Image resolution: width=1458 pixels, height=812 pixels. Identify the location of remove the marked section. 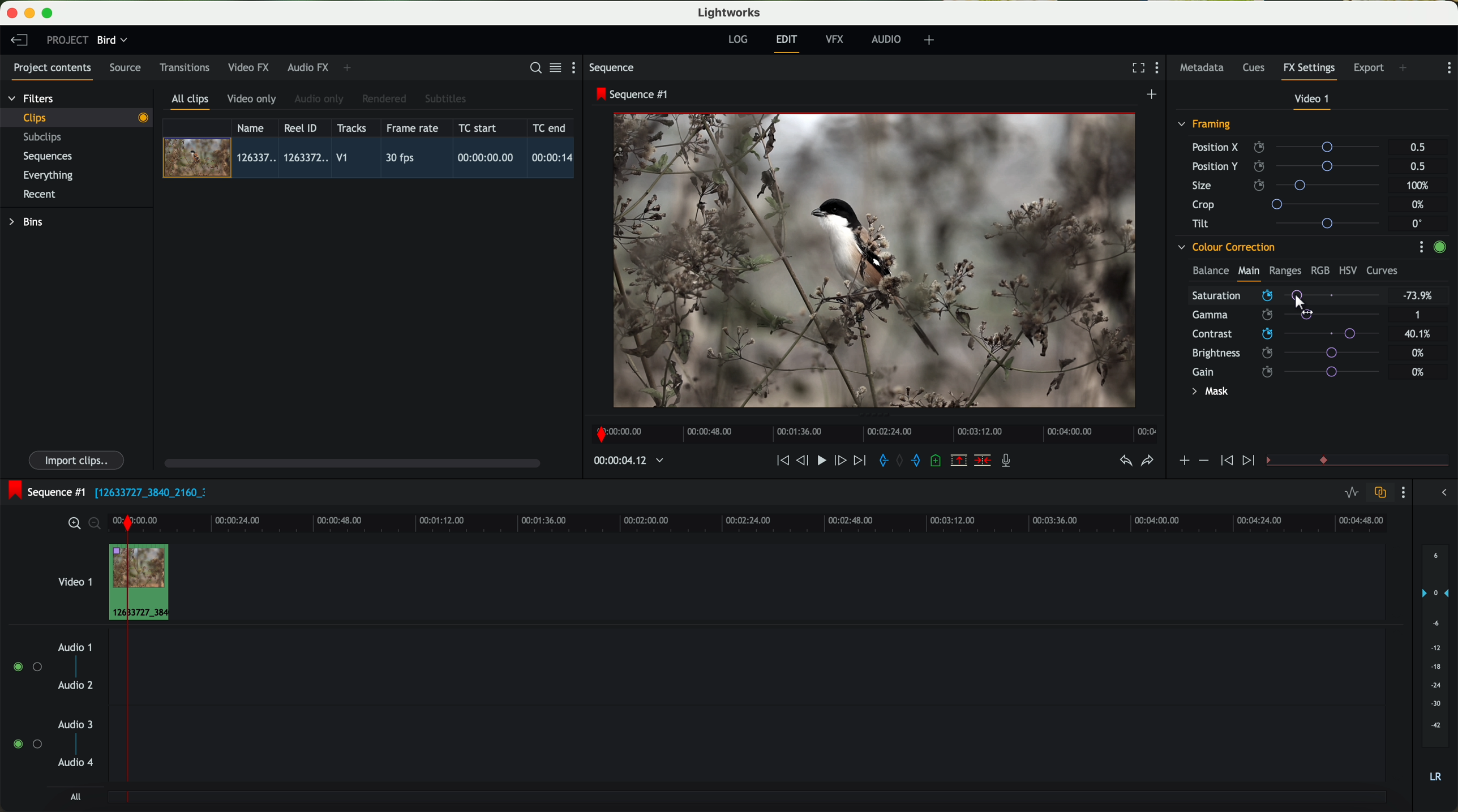
(960, 461).